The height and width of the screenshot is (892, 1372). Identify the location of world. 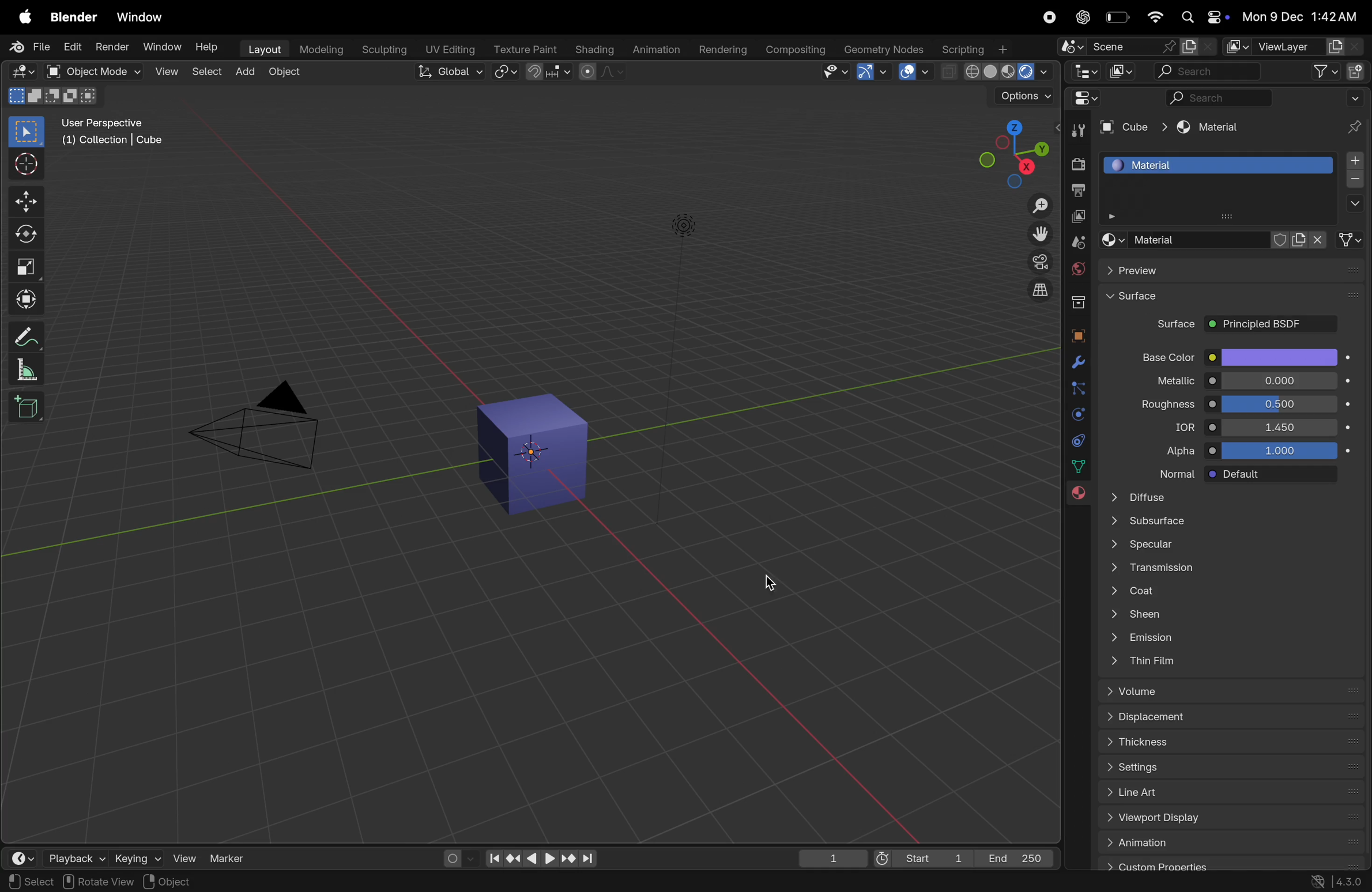
(1076, 269).